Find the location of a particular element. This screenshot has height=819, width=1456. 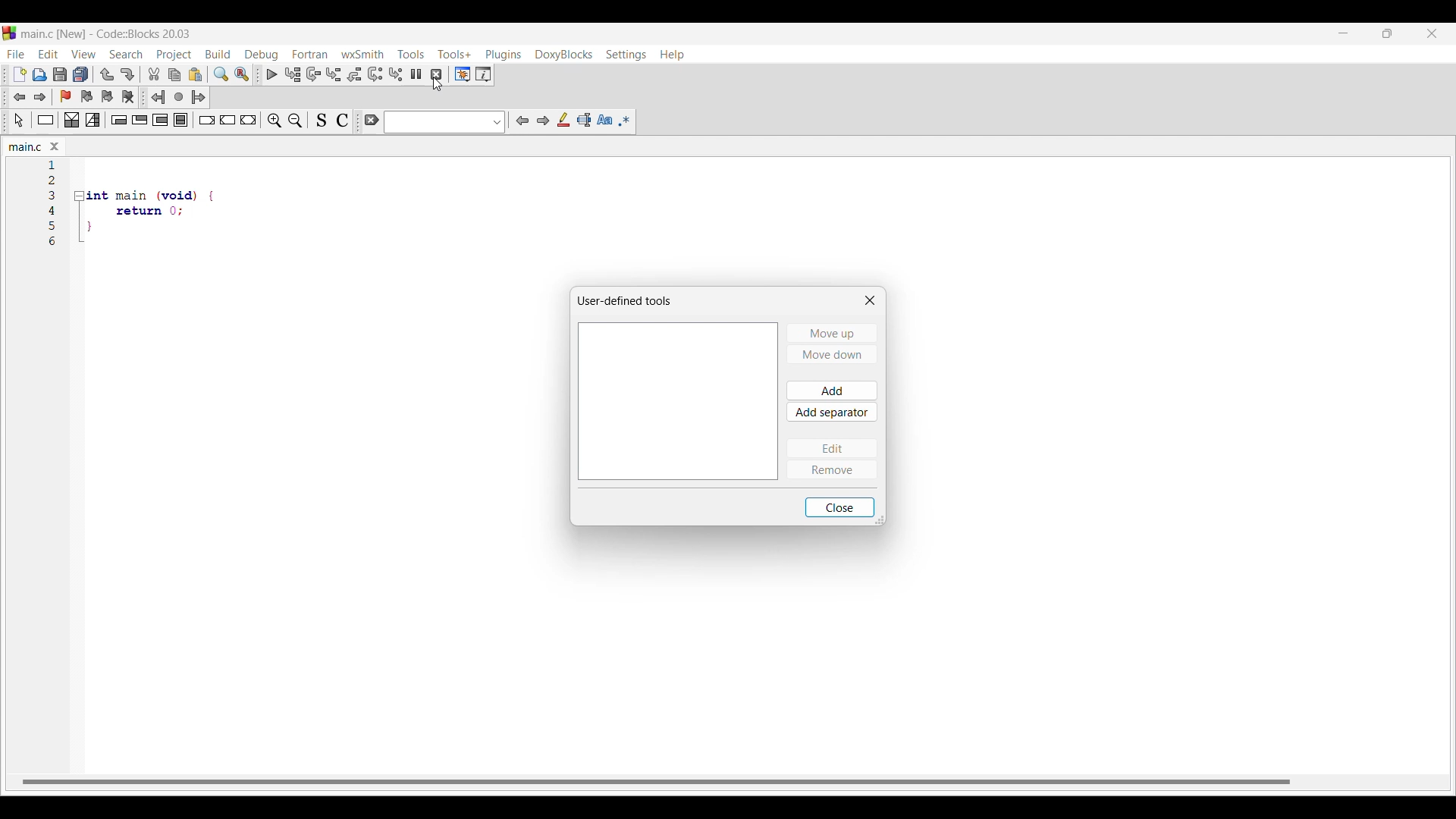

Select is located at coordinates (18, 121).